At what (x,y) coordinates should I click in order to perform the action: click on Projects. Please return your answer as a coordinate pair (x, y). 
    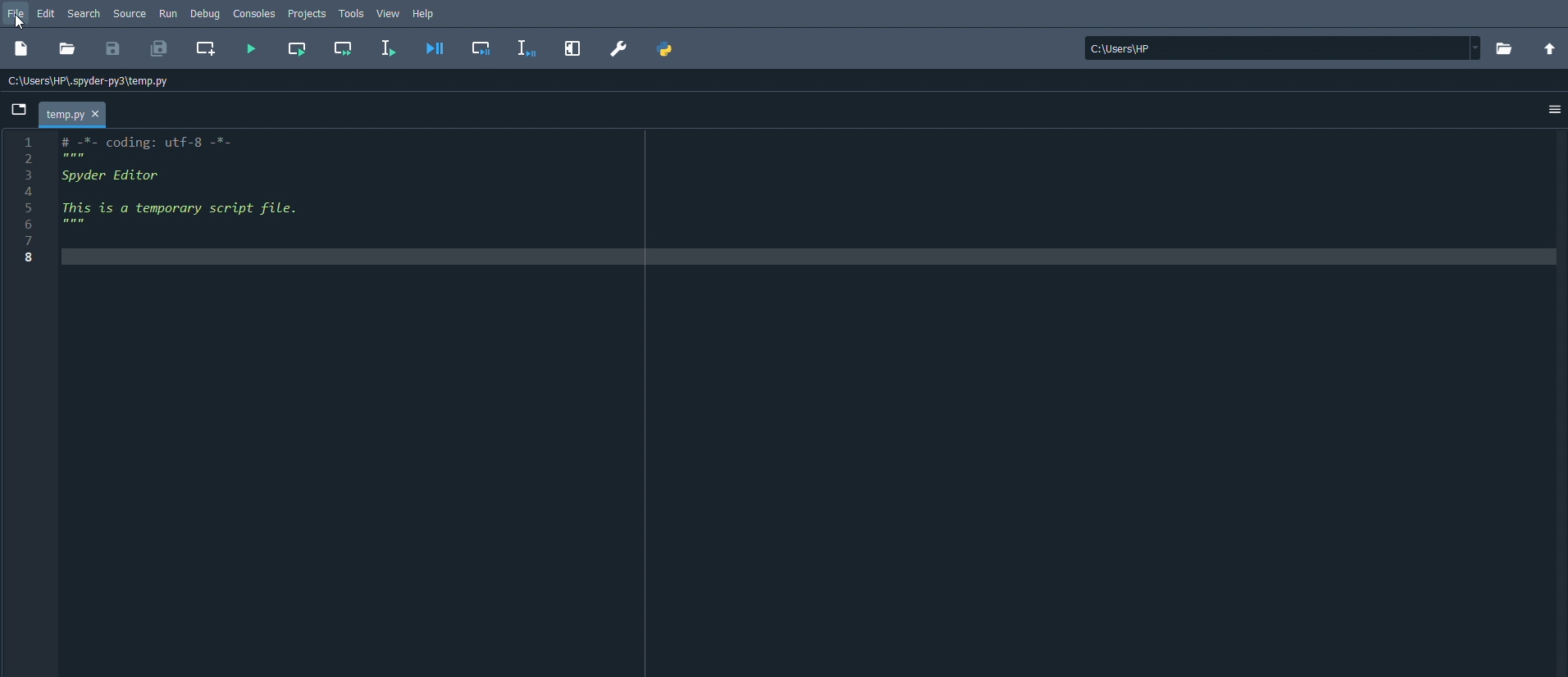
    Looking at the image, I should click on (308, 14).